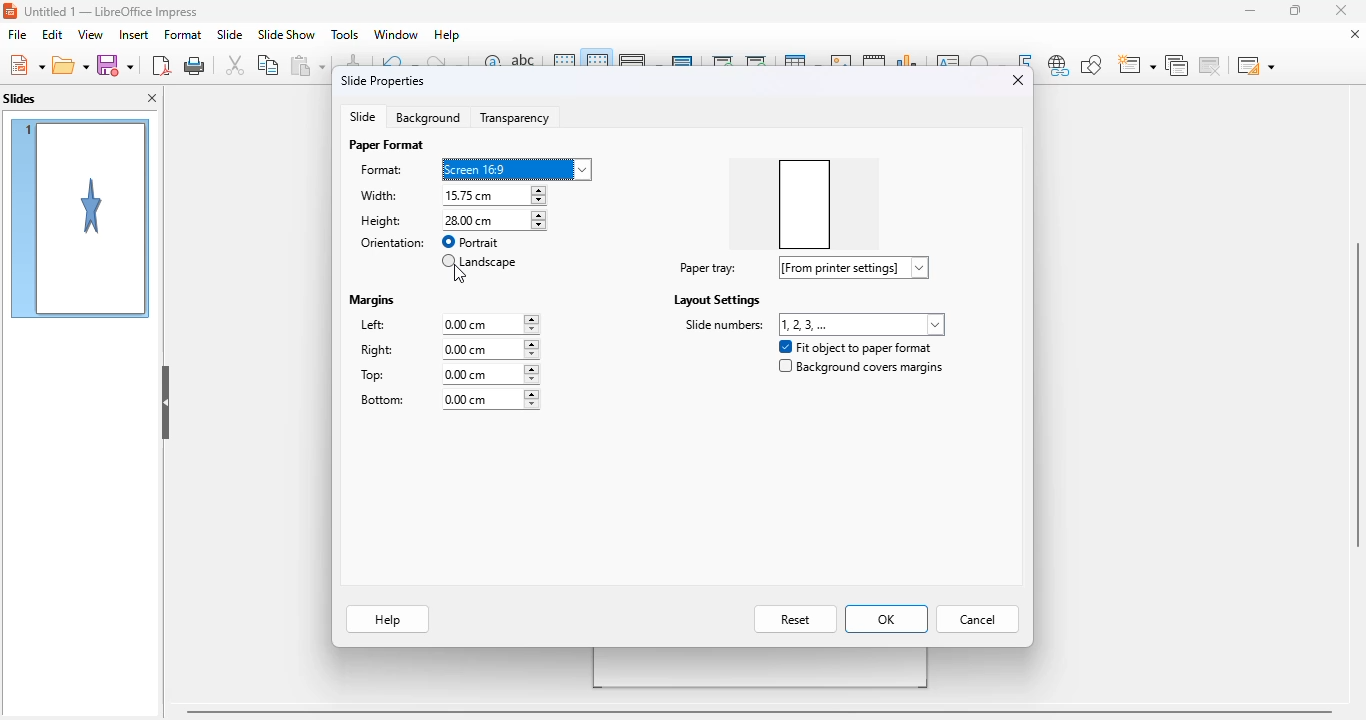 This screenshot has height=720, width=1366. Describe the element at coordinates (1016, 84) in the screenshot. I see `close` at that location.